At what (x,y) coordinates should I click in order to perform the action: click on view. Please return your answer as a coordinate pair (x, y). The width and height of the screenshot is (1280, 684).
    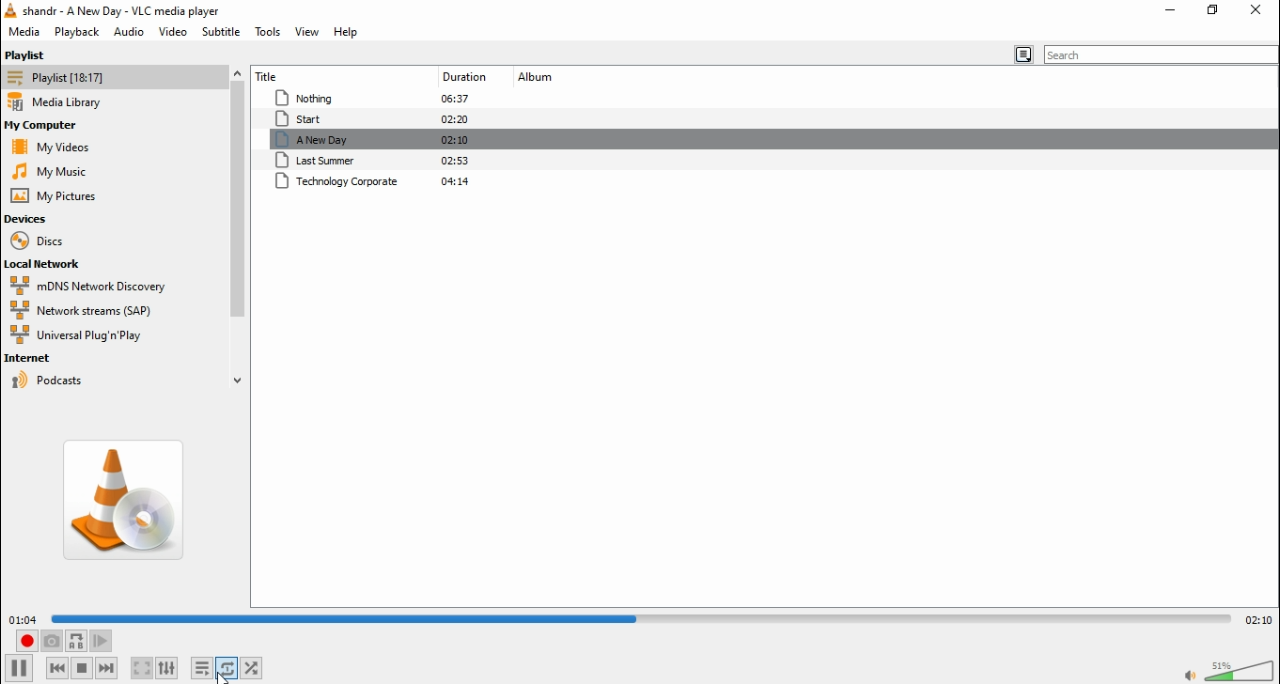
    Looking at the image, I should click on (309, 33).